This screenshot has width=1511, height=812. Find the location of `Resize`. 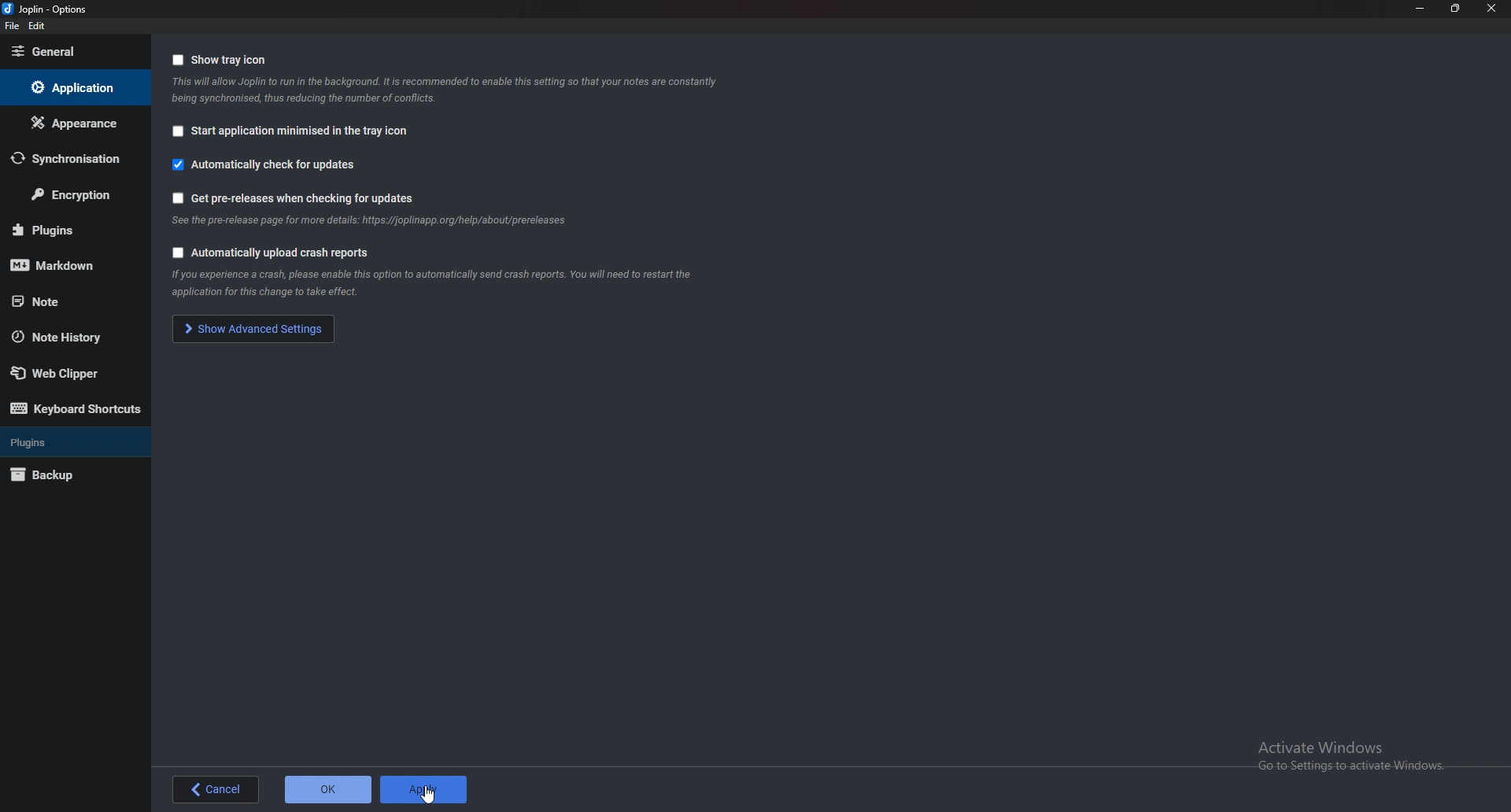

Resize is located at coordinates (1453, 9).